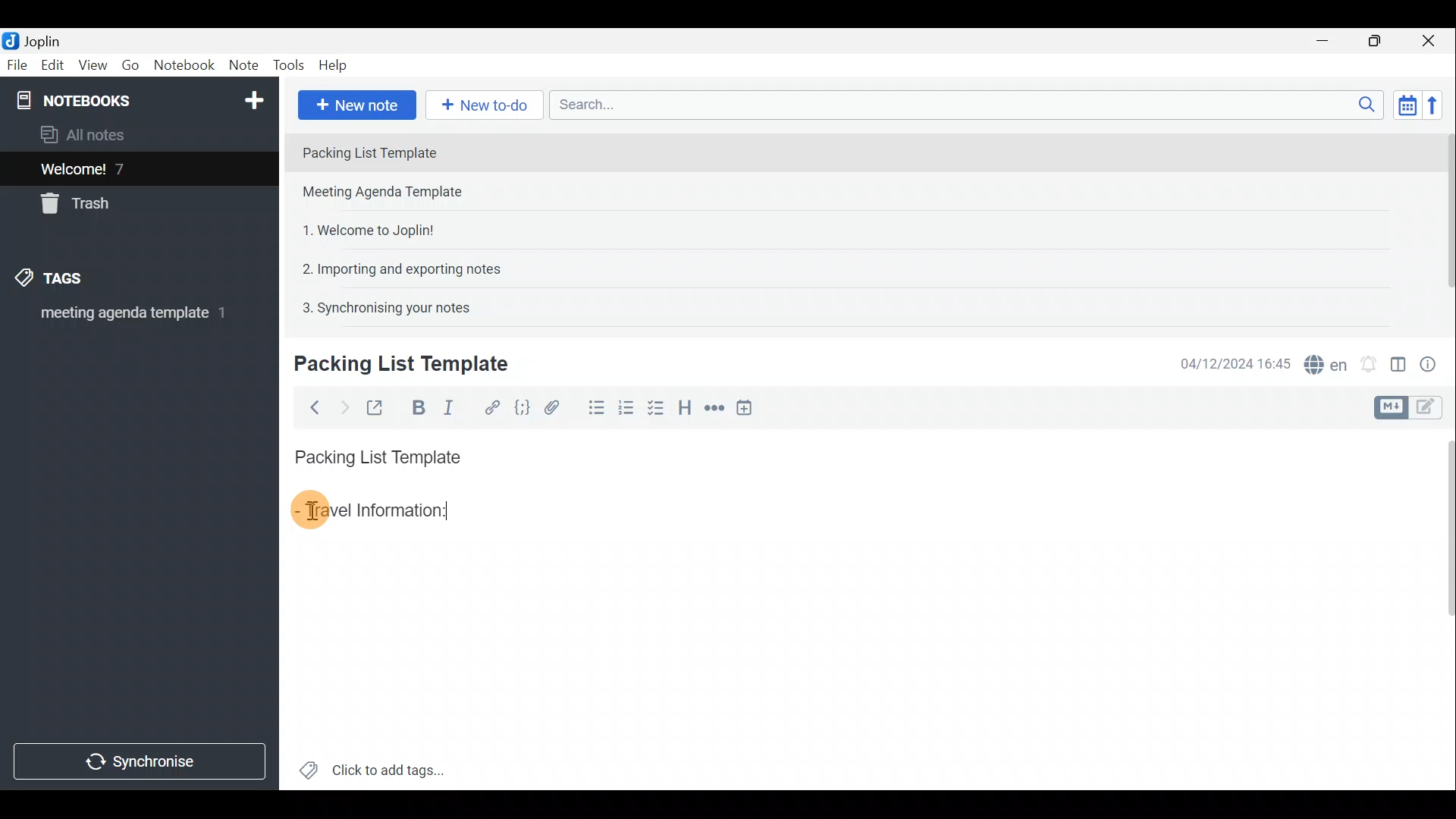  What do you see at coordinates (290, 66) in the screenshot?
I see `Tools` at bounding box center [290, 66].